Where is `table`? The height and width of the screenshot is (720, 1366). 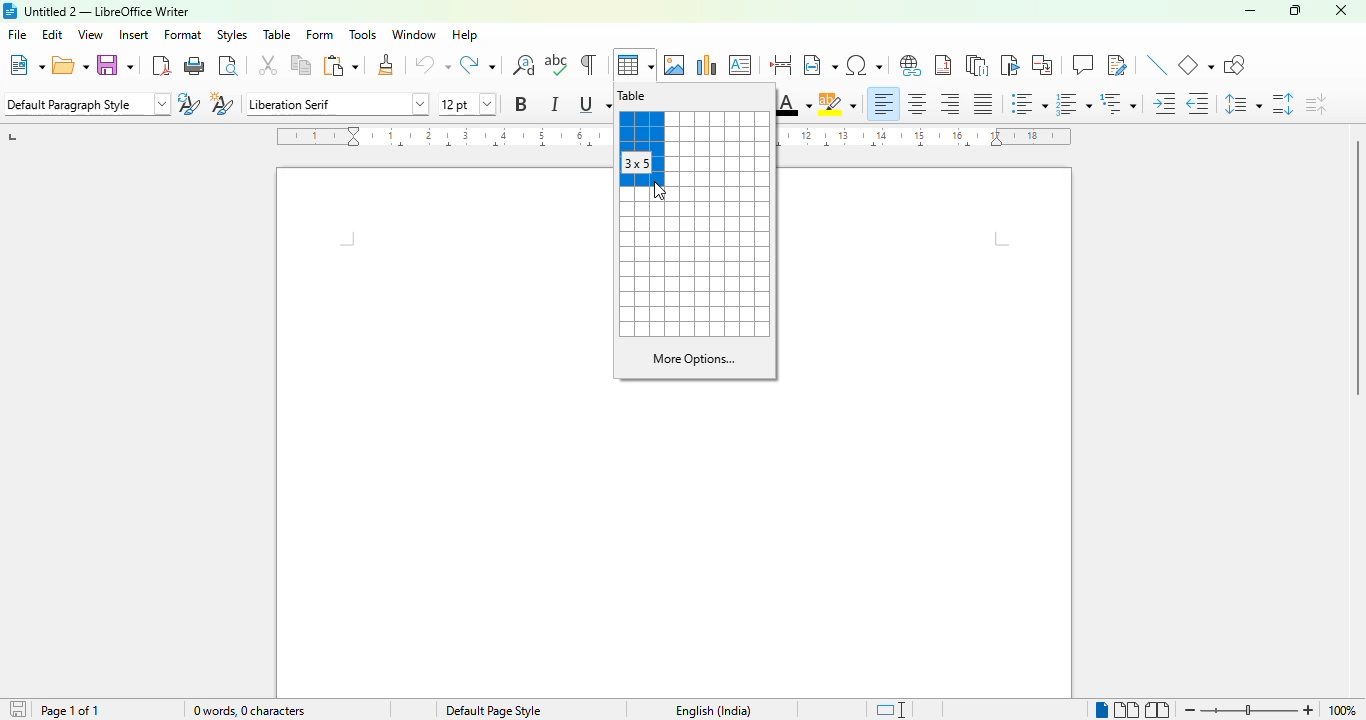
table is located at coordinates (633, 95).